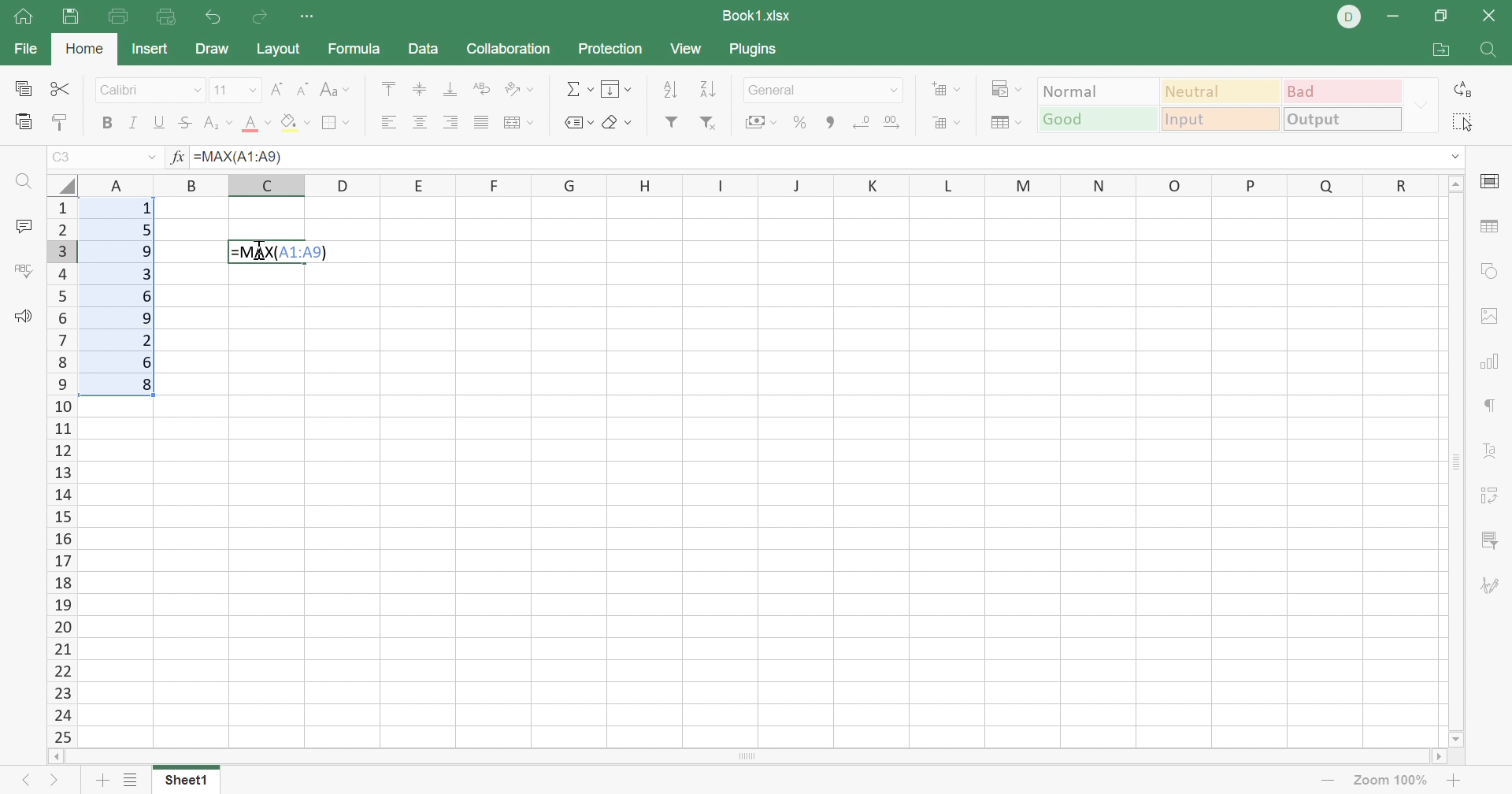 The image size is (1512, 794). What do you see at coordinates (1492, 587) in the screenshot?
I see `Signature settings` at bounding box center [1492, 587].